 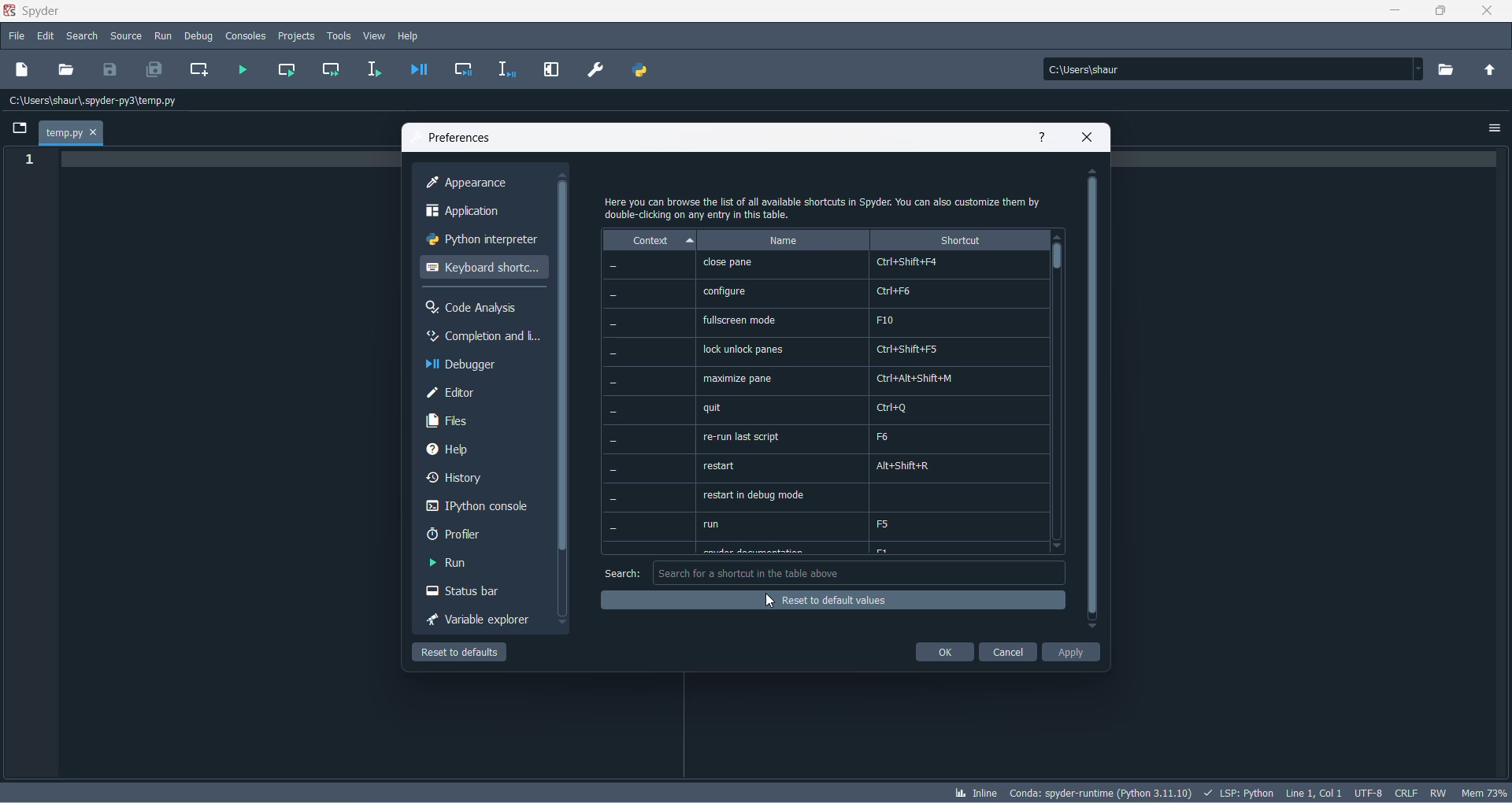 What do you see at coordinates (646, 402) in the screenshot?
I see `context values` at bounding box center [646, 402].